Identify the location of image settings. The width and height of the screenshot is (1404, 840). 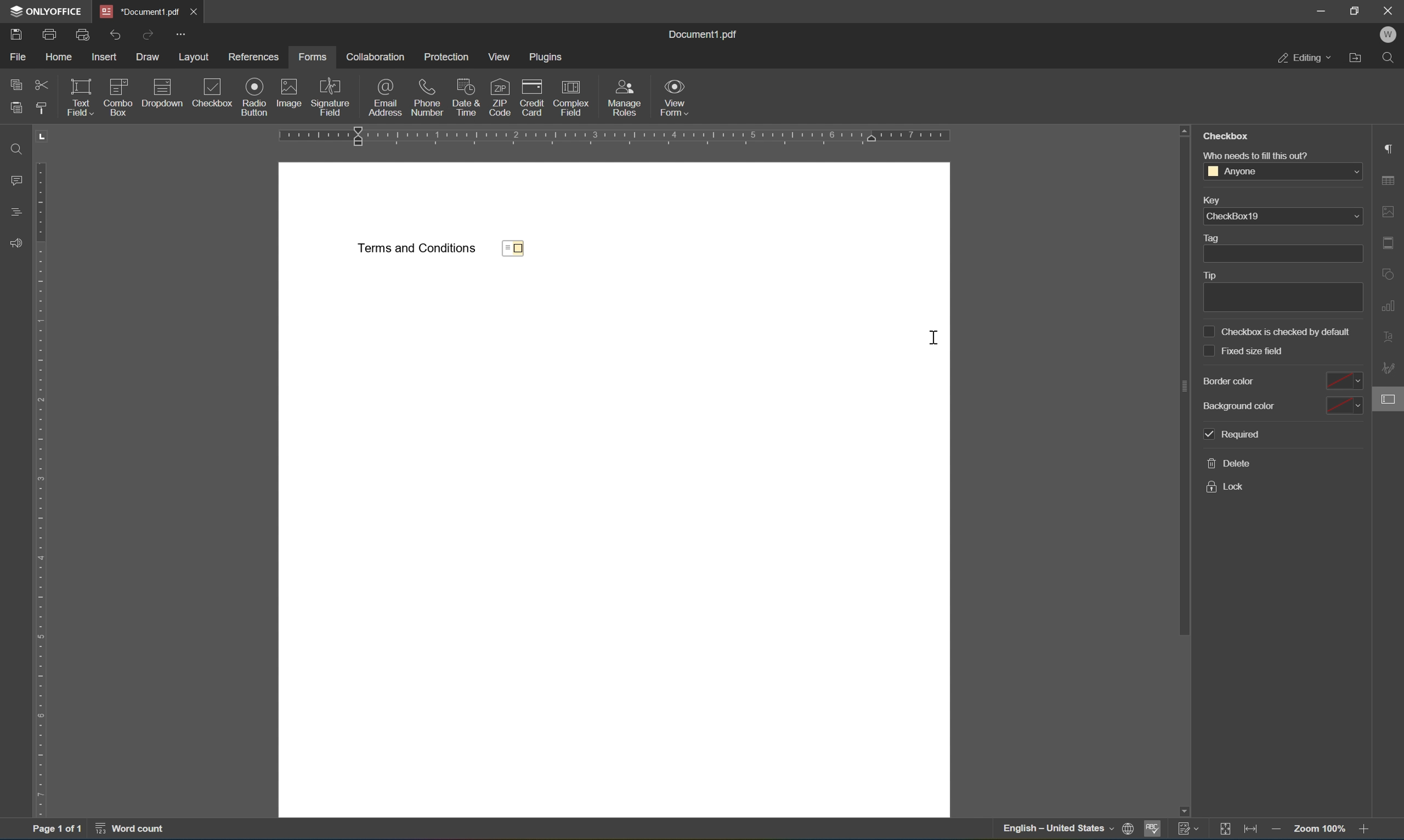
(1391, 212).